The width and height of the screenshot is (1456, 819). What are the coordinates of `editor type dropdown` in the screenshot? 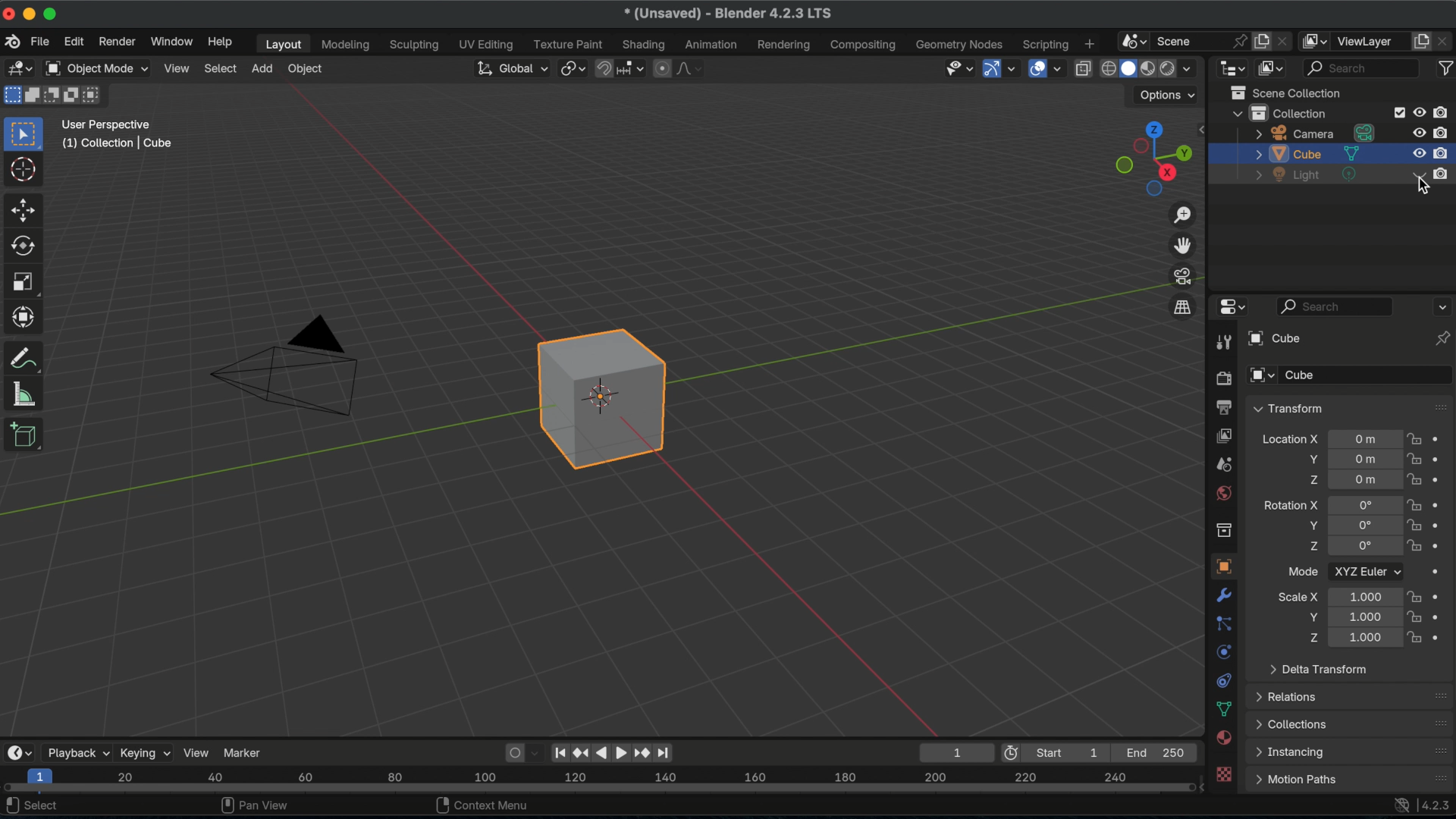 It's located at (19, 750).